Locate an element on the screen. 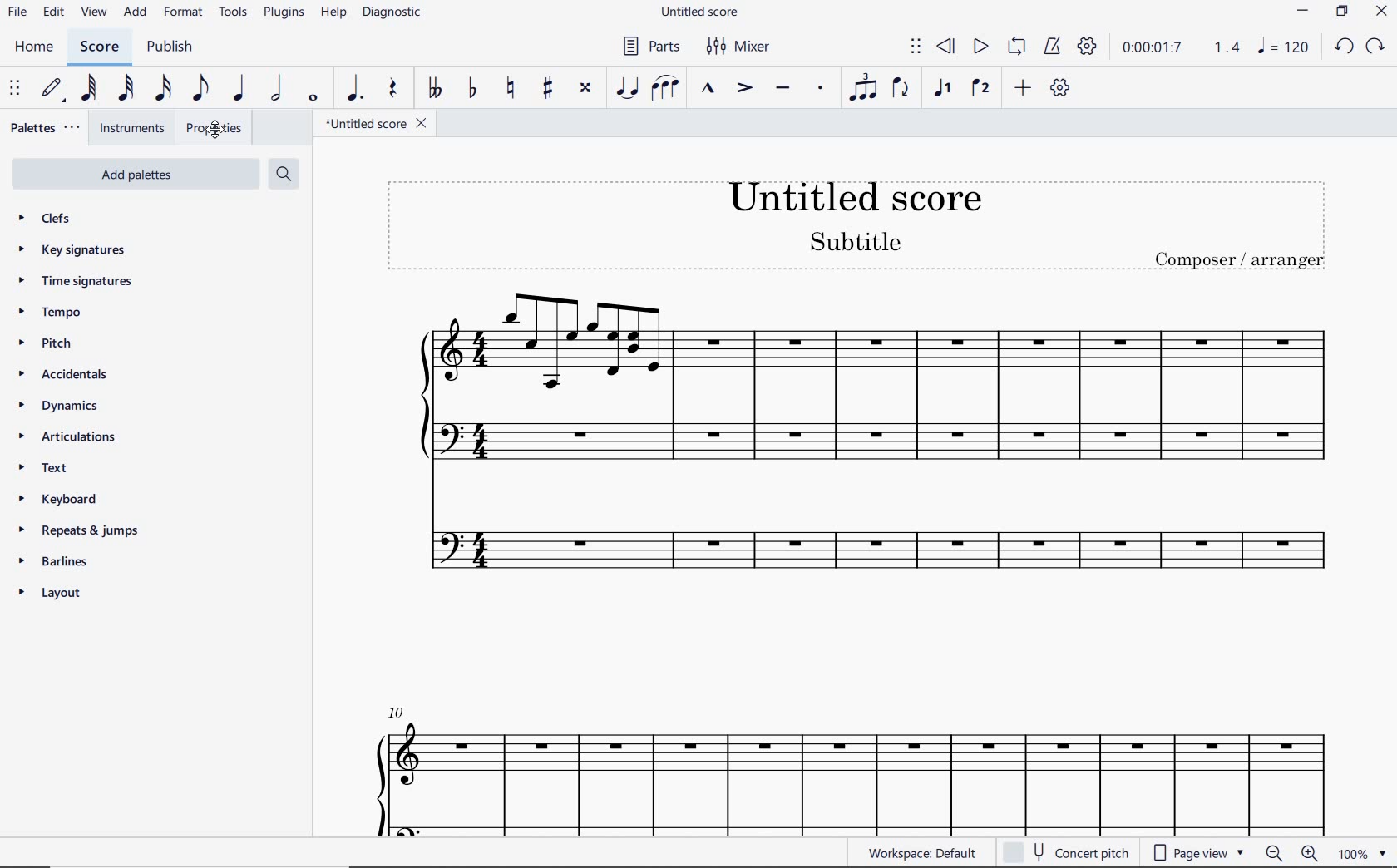 This screenshot has height=868, width=1397. AUGMENTATION DOT is located at coordinates (356, 87).